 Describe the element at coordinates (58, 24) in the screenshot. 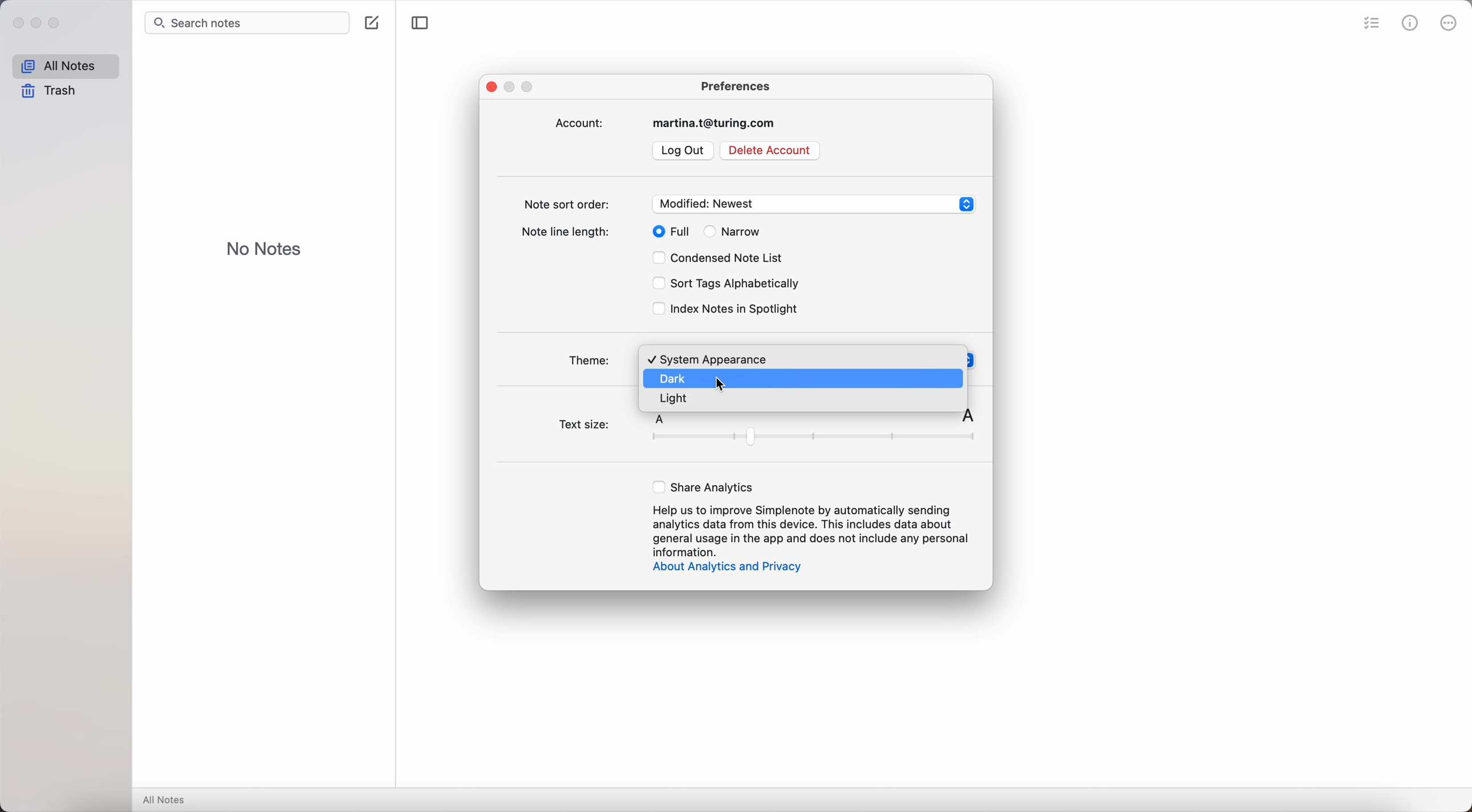

I see `maximize` at that location.